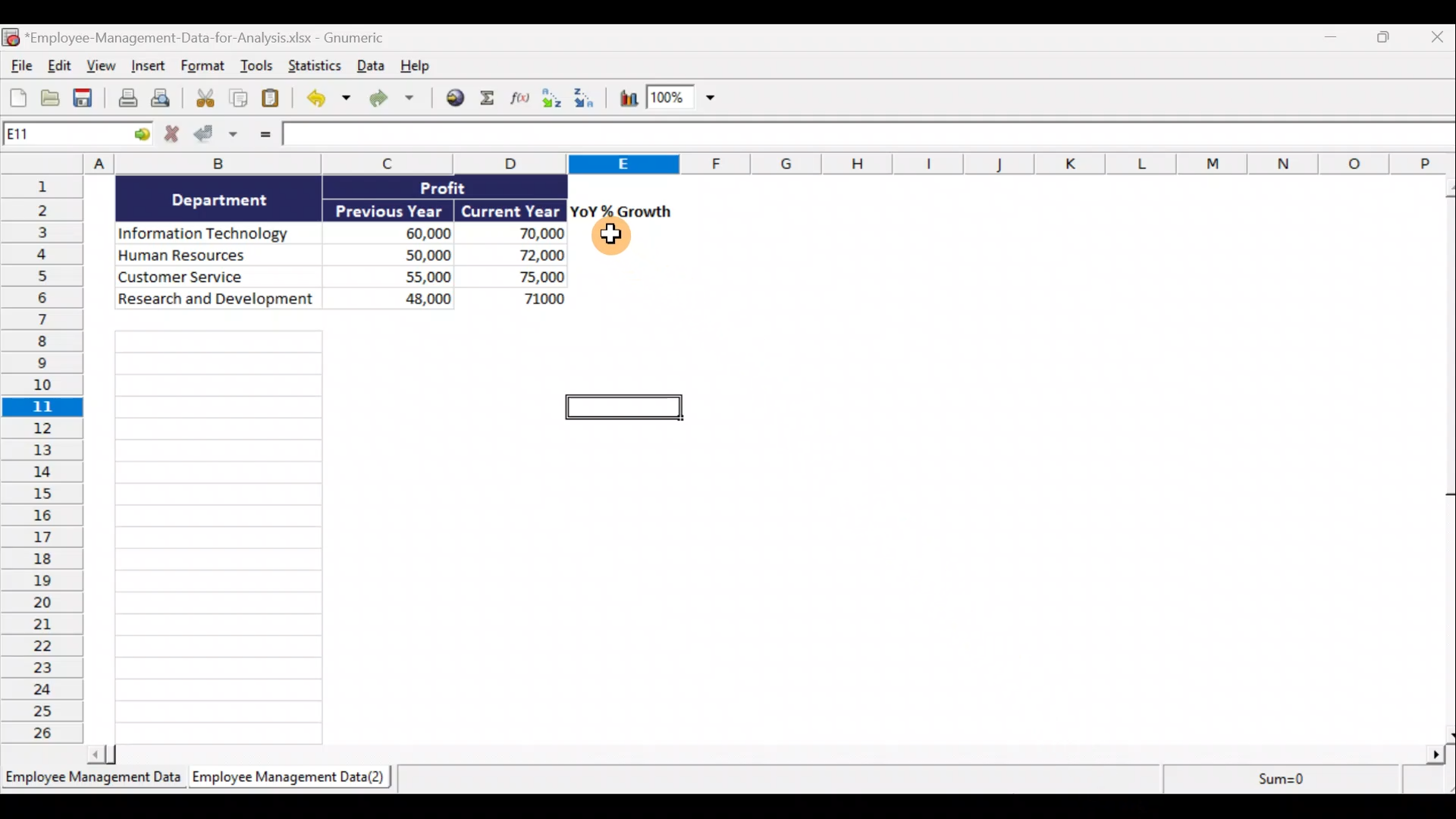 The image size is (1456, 819). Describe the element at coordinates (19, 64) in the screenshot. I see `File` at that location.